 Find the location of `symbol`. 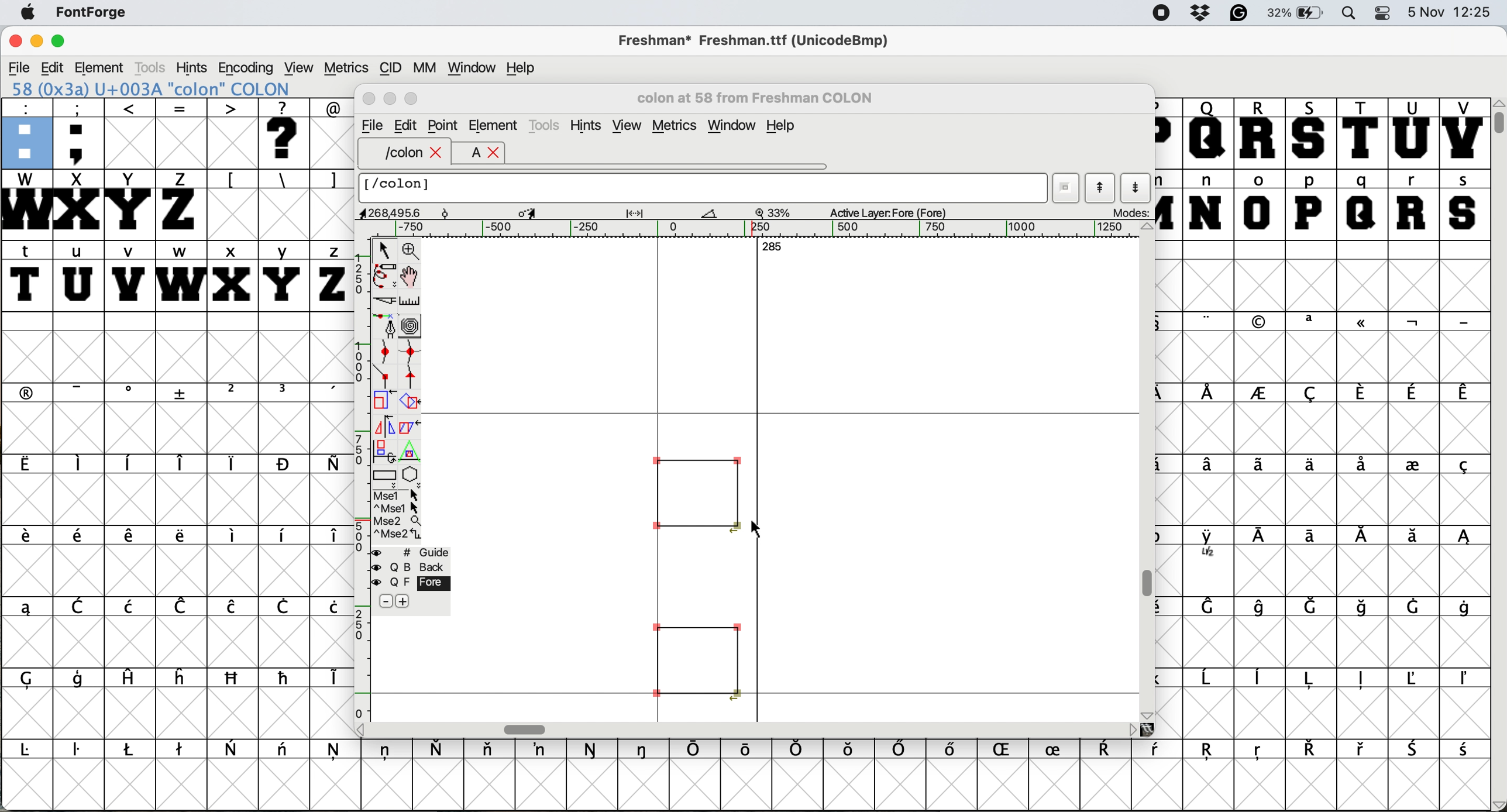

symbol is located at coordinates (182, 606).